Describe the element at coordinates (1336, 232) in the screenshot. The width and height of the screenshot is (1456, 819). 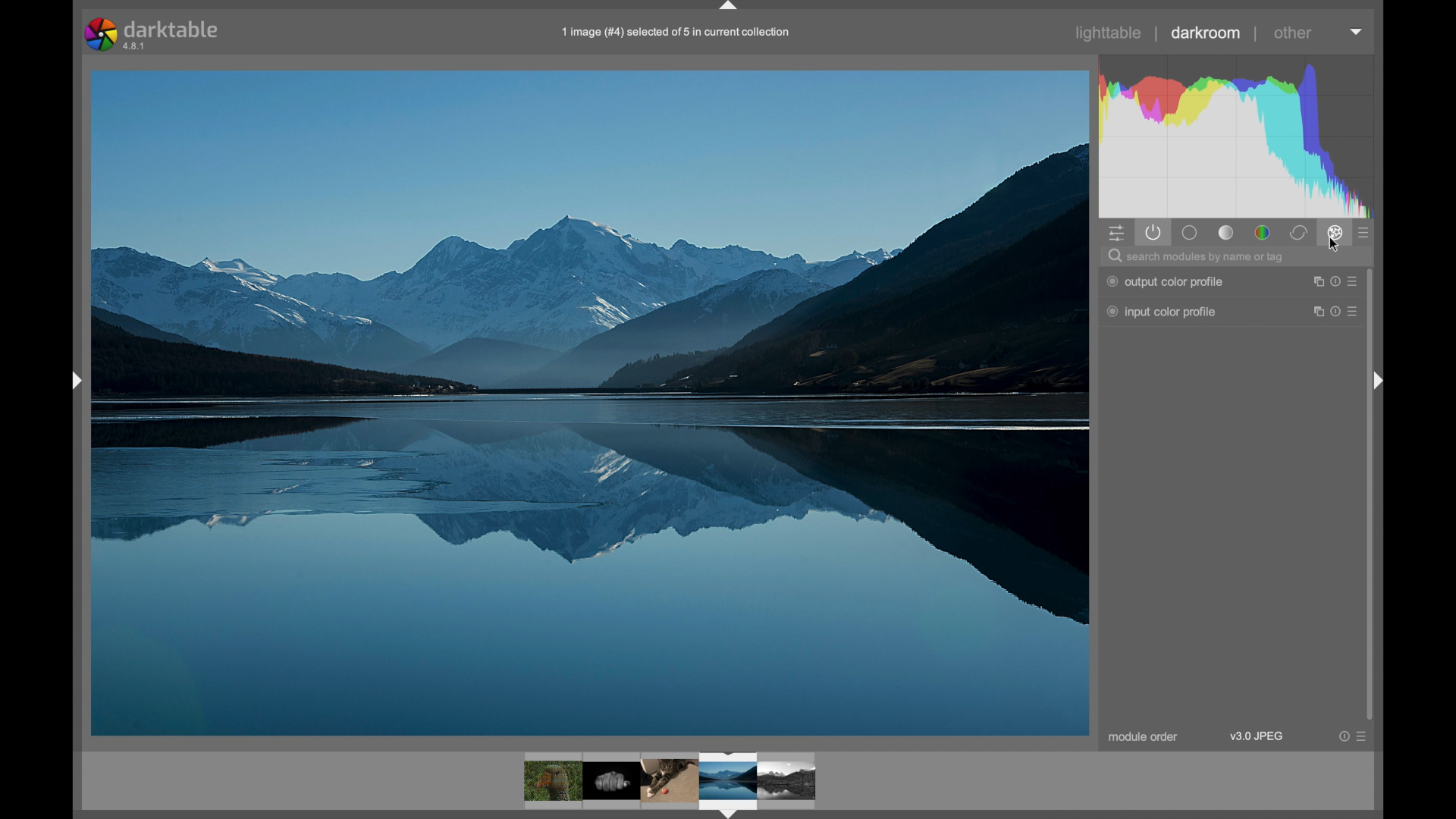
I see `effects` at that location.